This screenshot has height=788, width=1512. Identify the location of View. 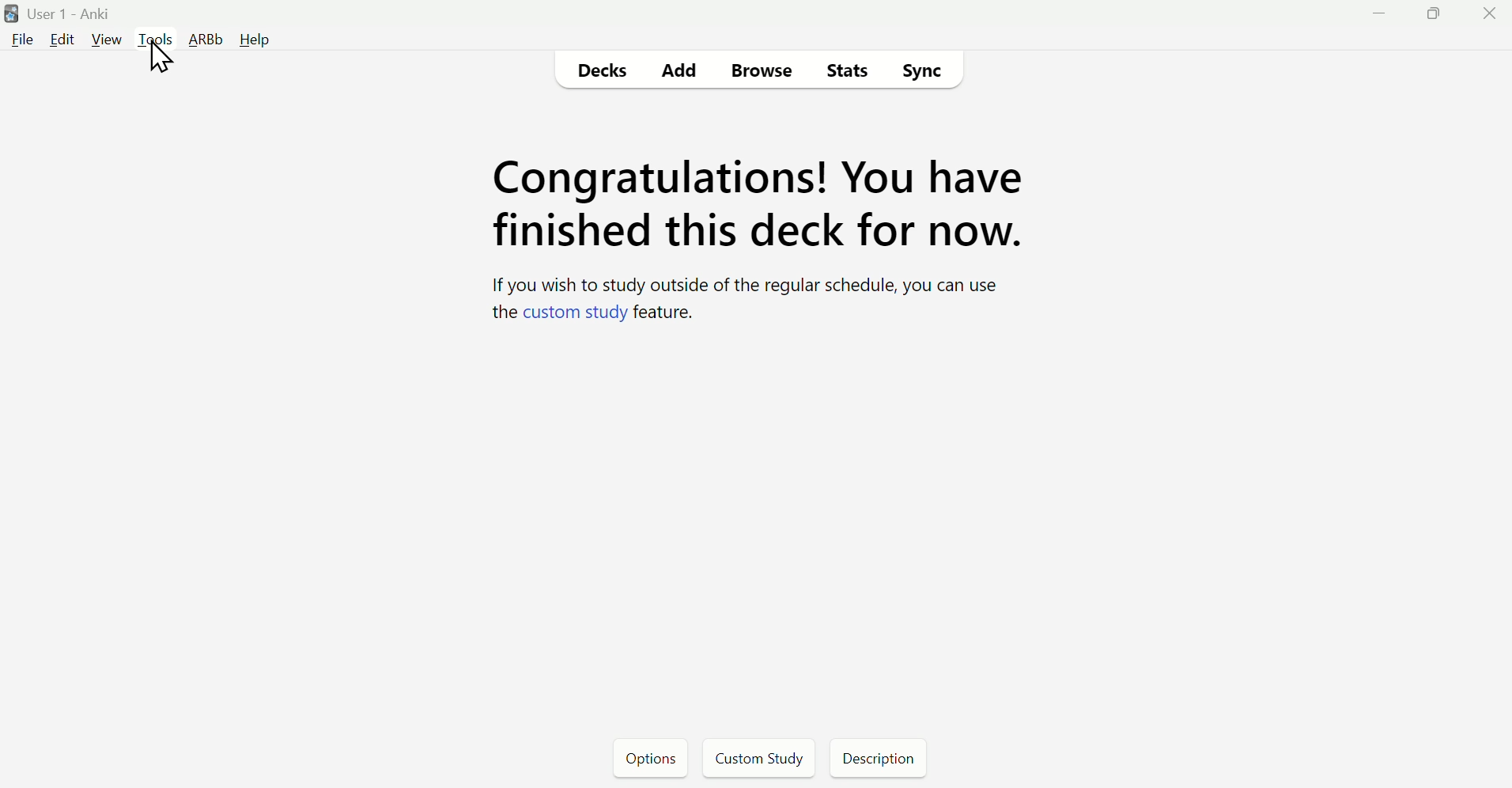
(104, 40).